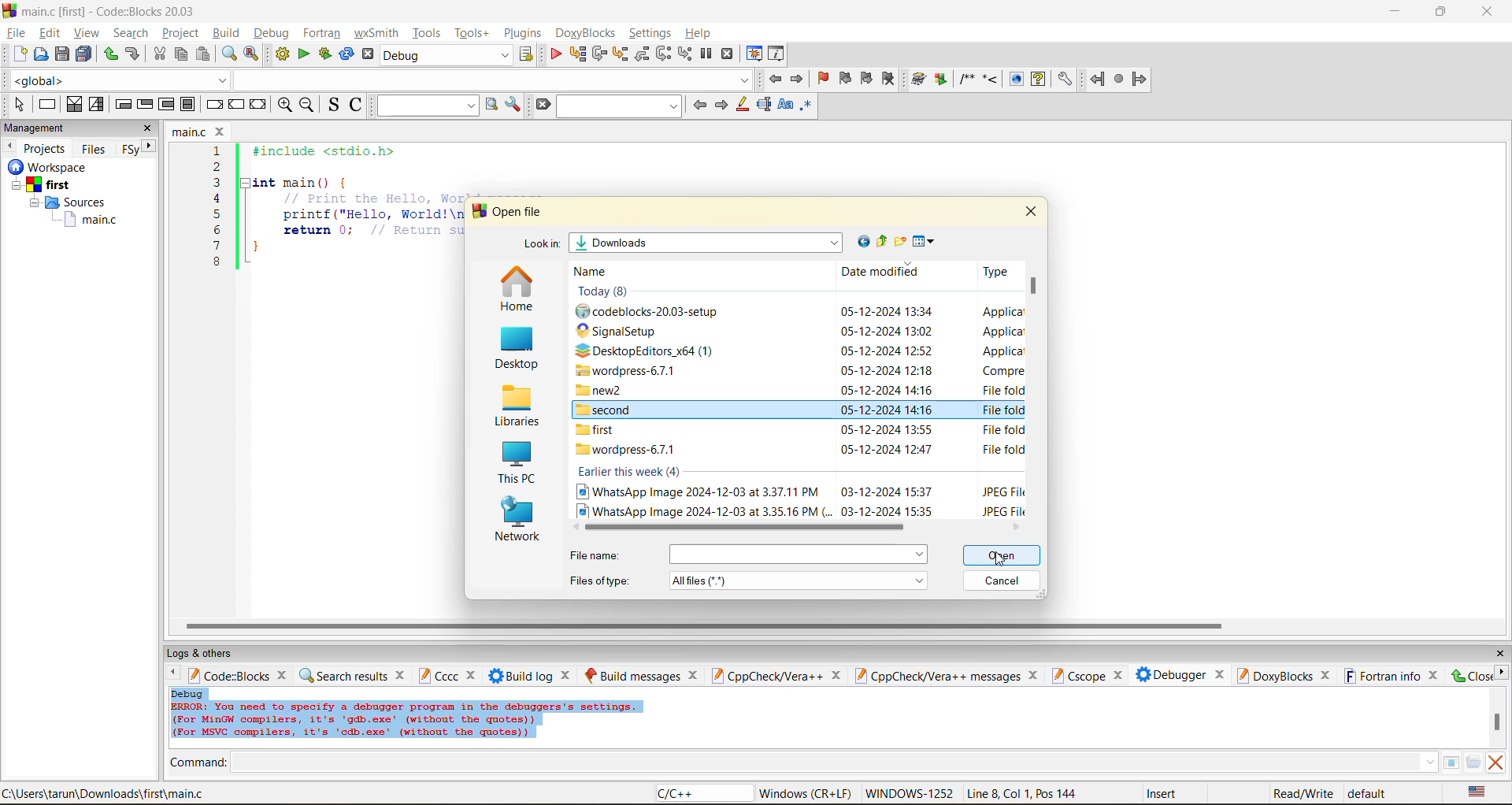 This screenshot has width=1512, height=805. Describe the element at coordinates (304, 54) in the screenshot. I see `run` at that location.